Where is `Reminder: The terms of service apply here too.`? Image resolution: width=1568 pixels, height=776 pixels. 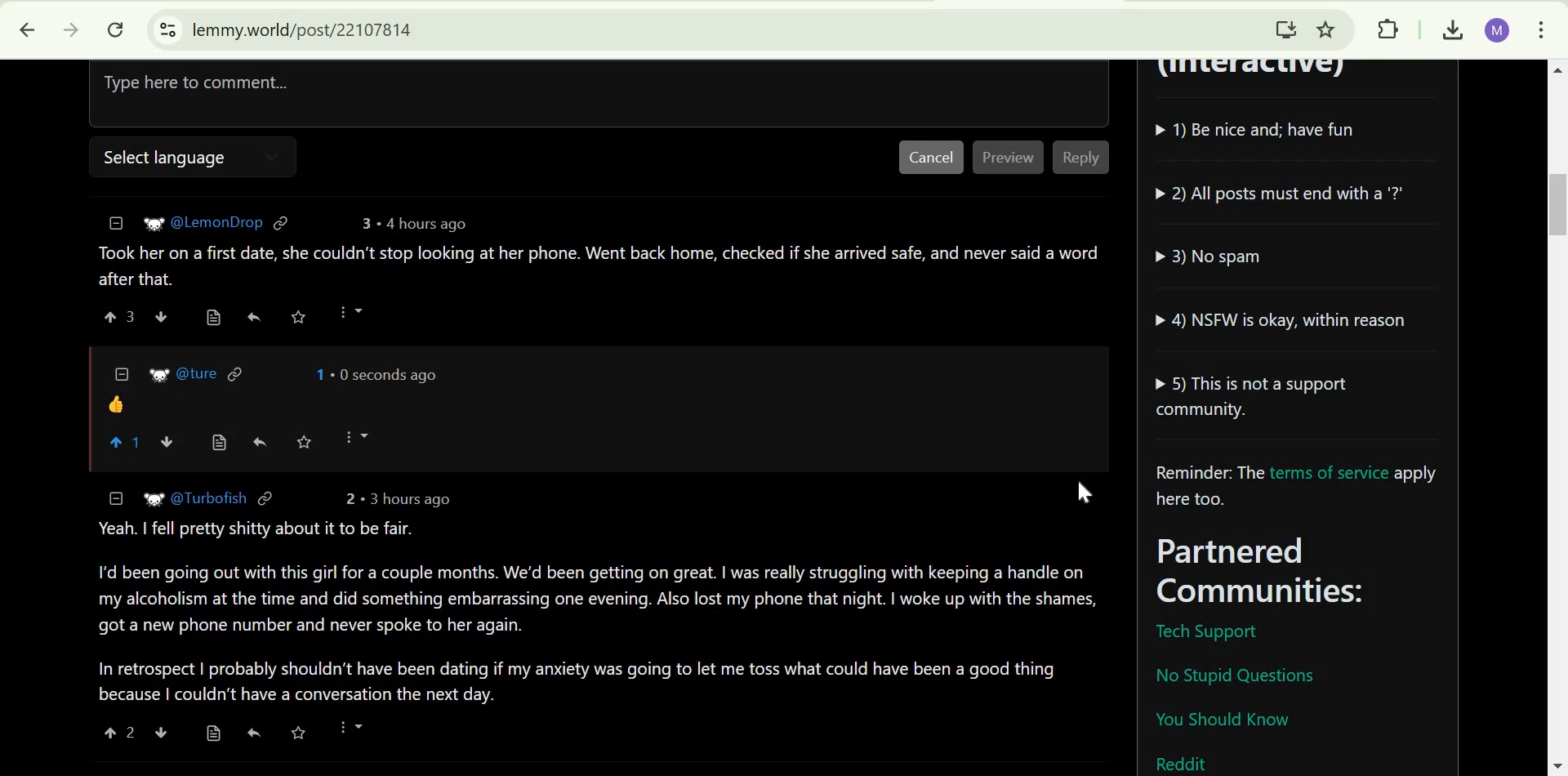 Reminder: The terms of service apply here too. is located at coordinates (1302, 488).